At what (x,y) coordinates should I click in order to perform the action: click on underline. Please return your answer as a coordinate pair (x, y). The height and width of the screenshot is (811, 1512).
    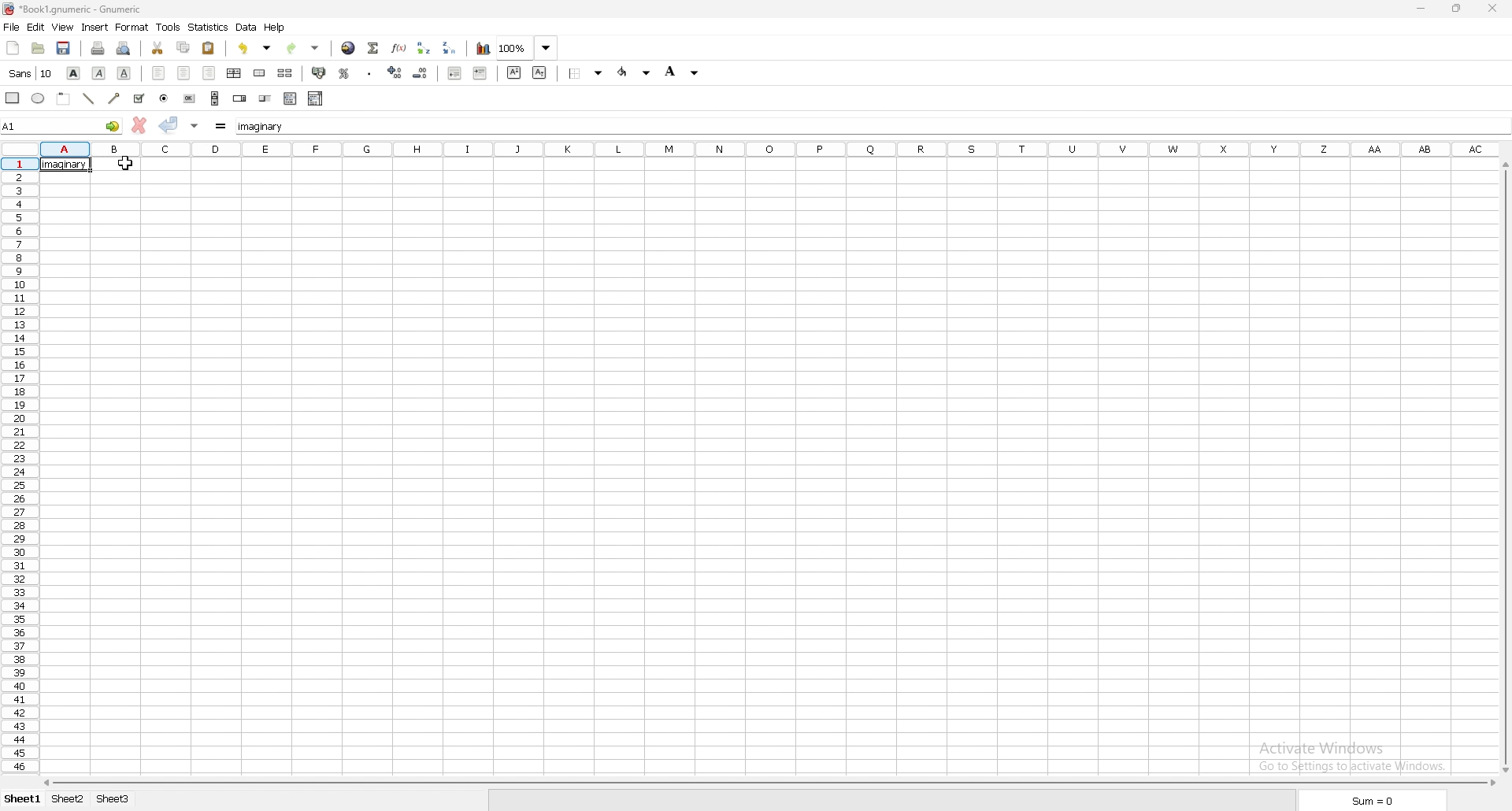
    Looking at the image, I should click on (125, 73).